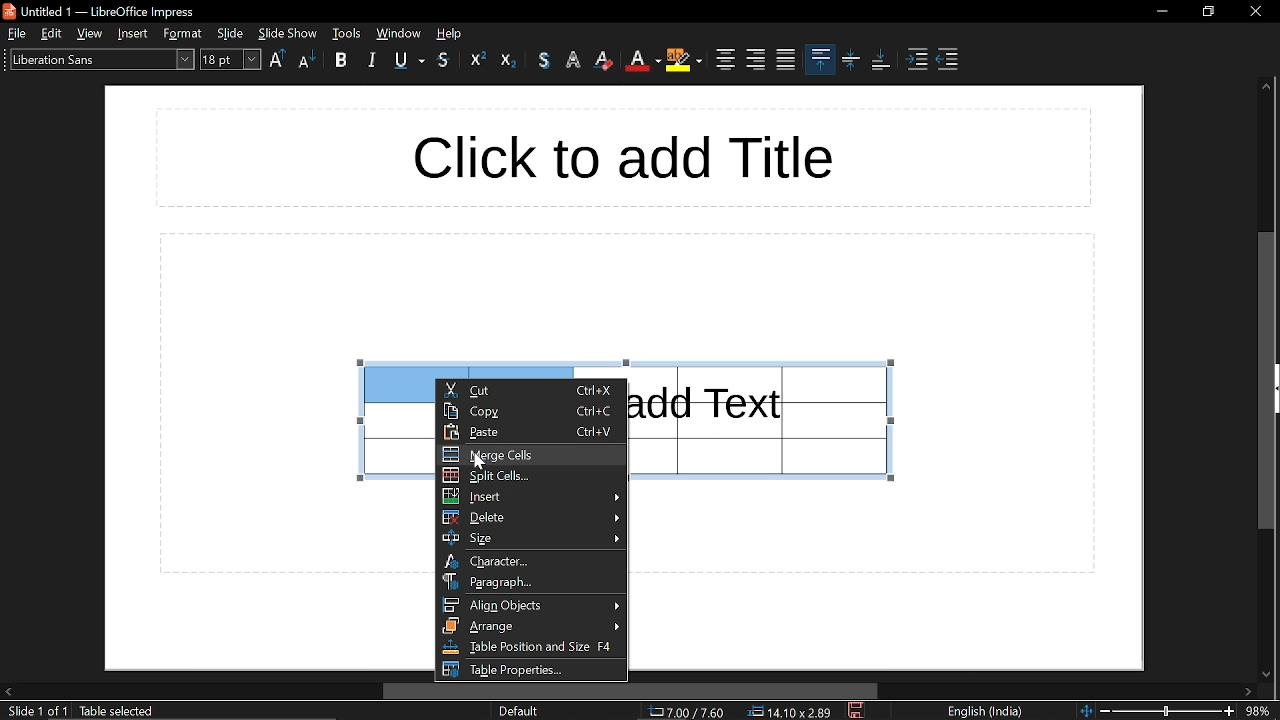  I want to click on move up, so click(1266, 89).